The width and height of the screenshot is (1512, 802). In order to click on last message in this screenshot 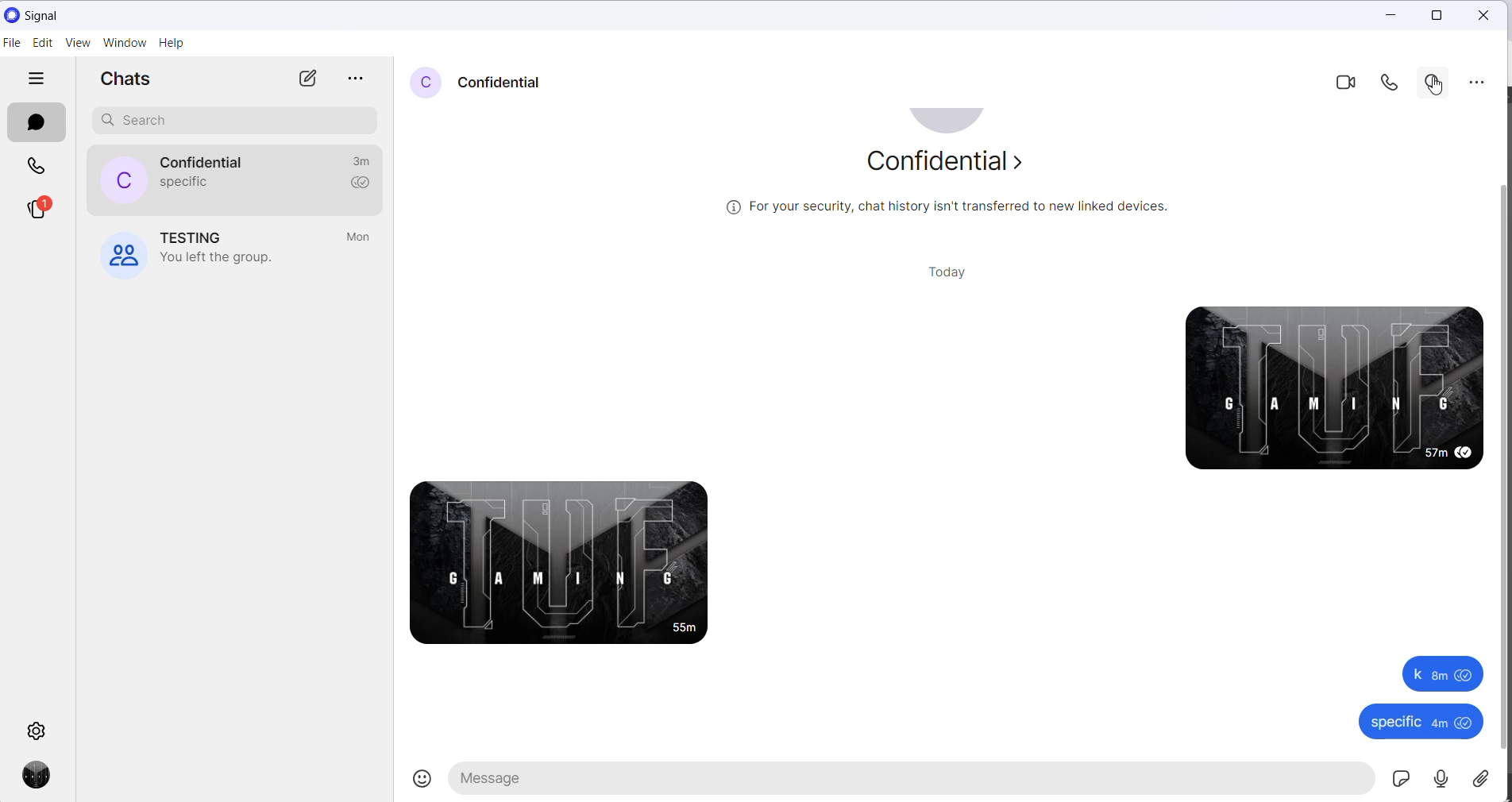, I will do `click(182, 183)`.